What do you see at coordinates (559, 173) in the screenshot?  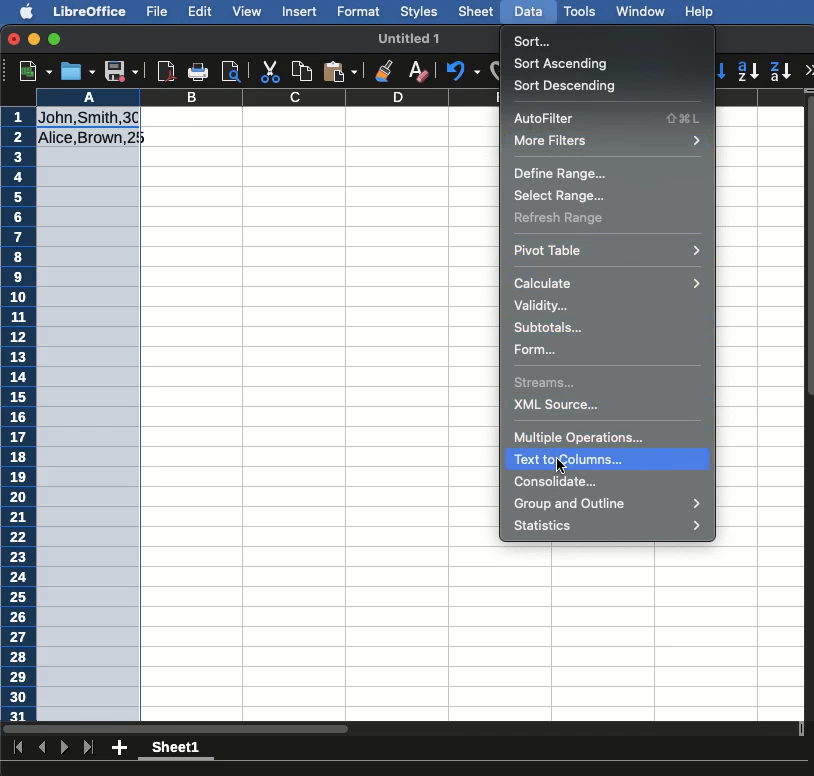 I see `Define range` at bounding box center [559, 173].